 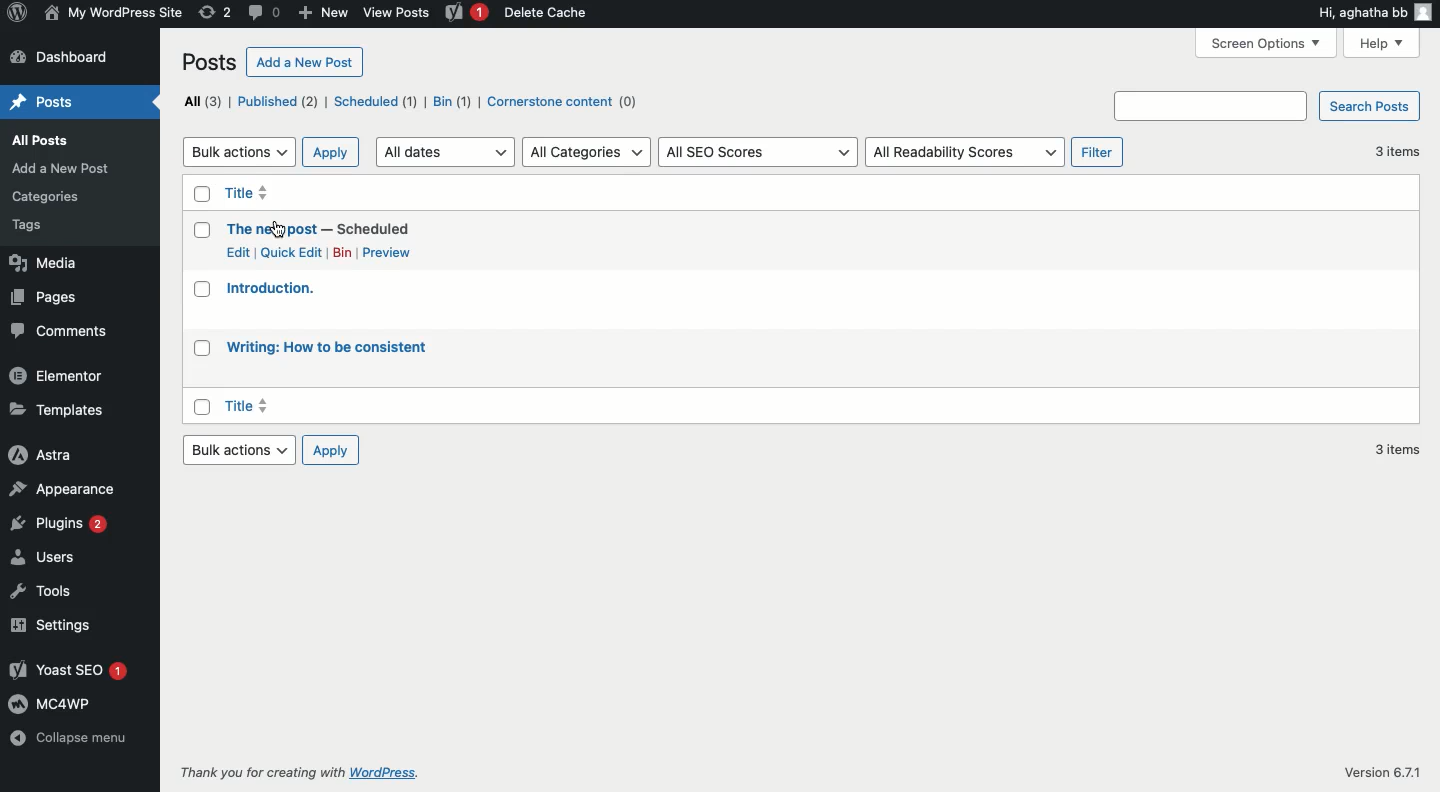 What do you see at coordinates (1397, 152) in the screenshot?
I see `3 items` at bounding box center [1397, 152].